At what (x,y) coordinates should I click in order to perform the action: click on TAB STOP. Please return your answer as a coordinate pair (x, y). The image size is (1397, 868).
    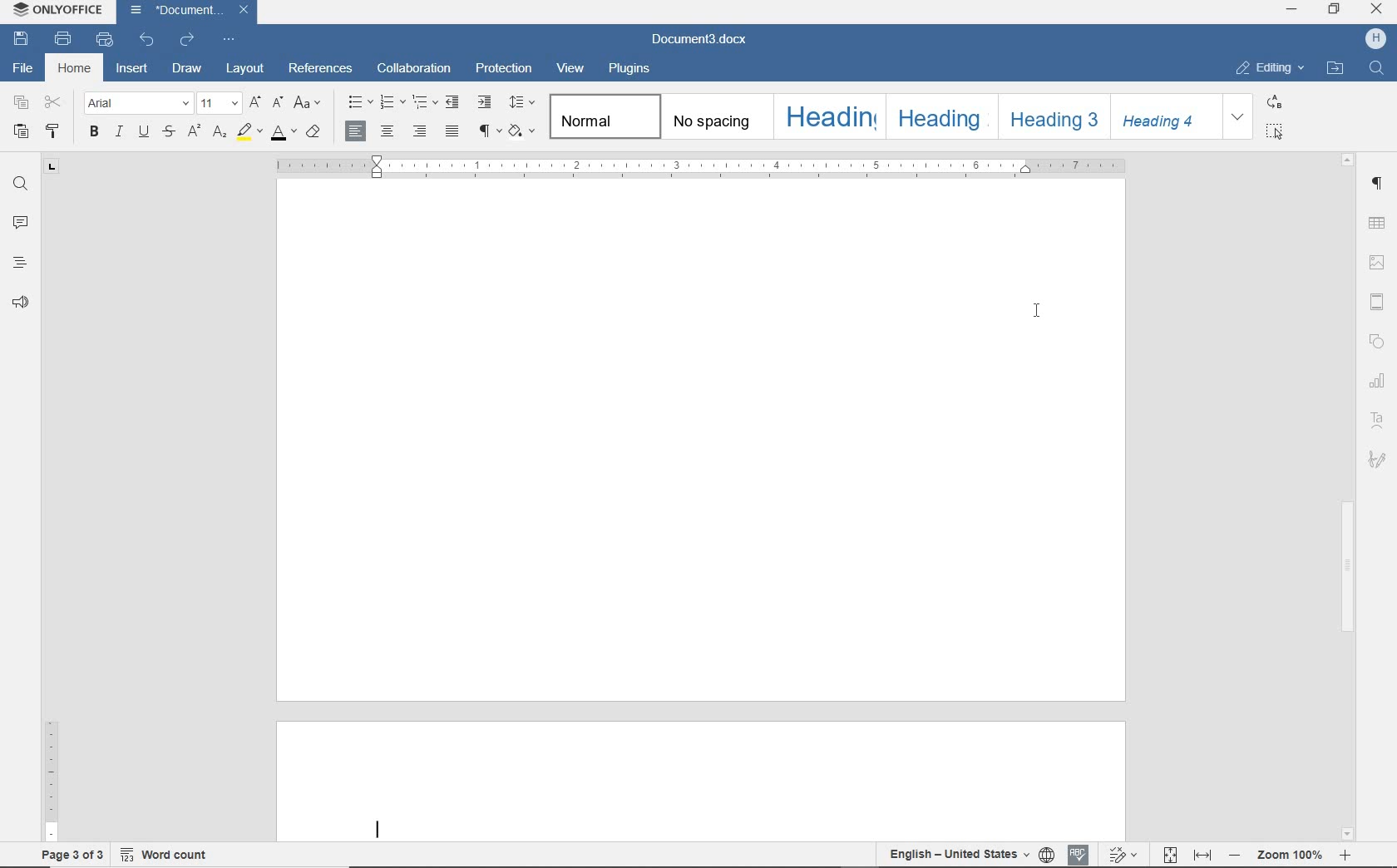
    Looking at the image, I should click on (53, 169).